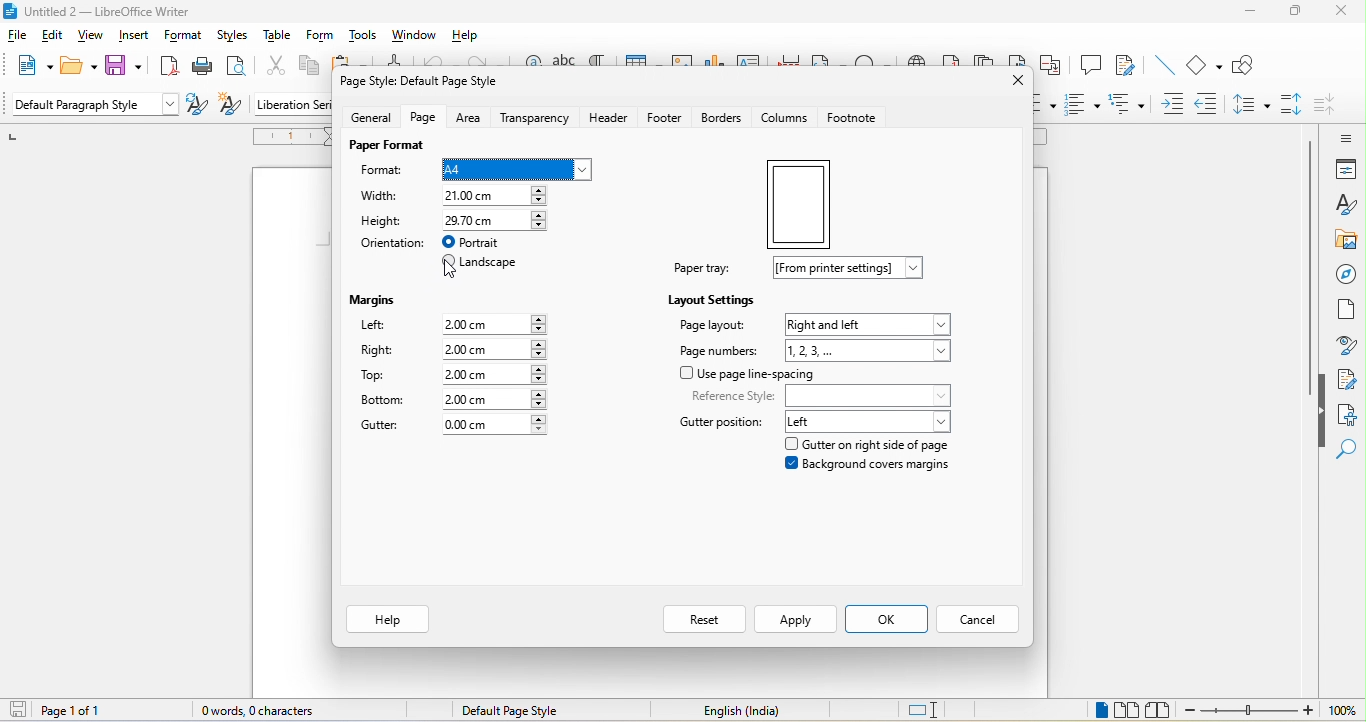 This screenshot has height=722, width=1366. Describe the element at coordinates (1175, 104) in the screenshot. I see `increase indent` at that location.